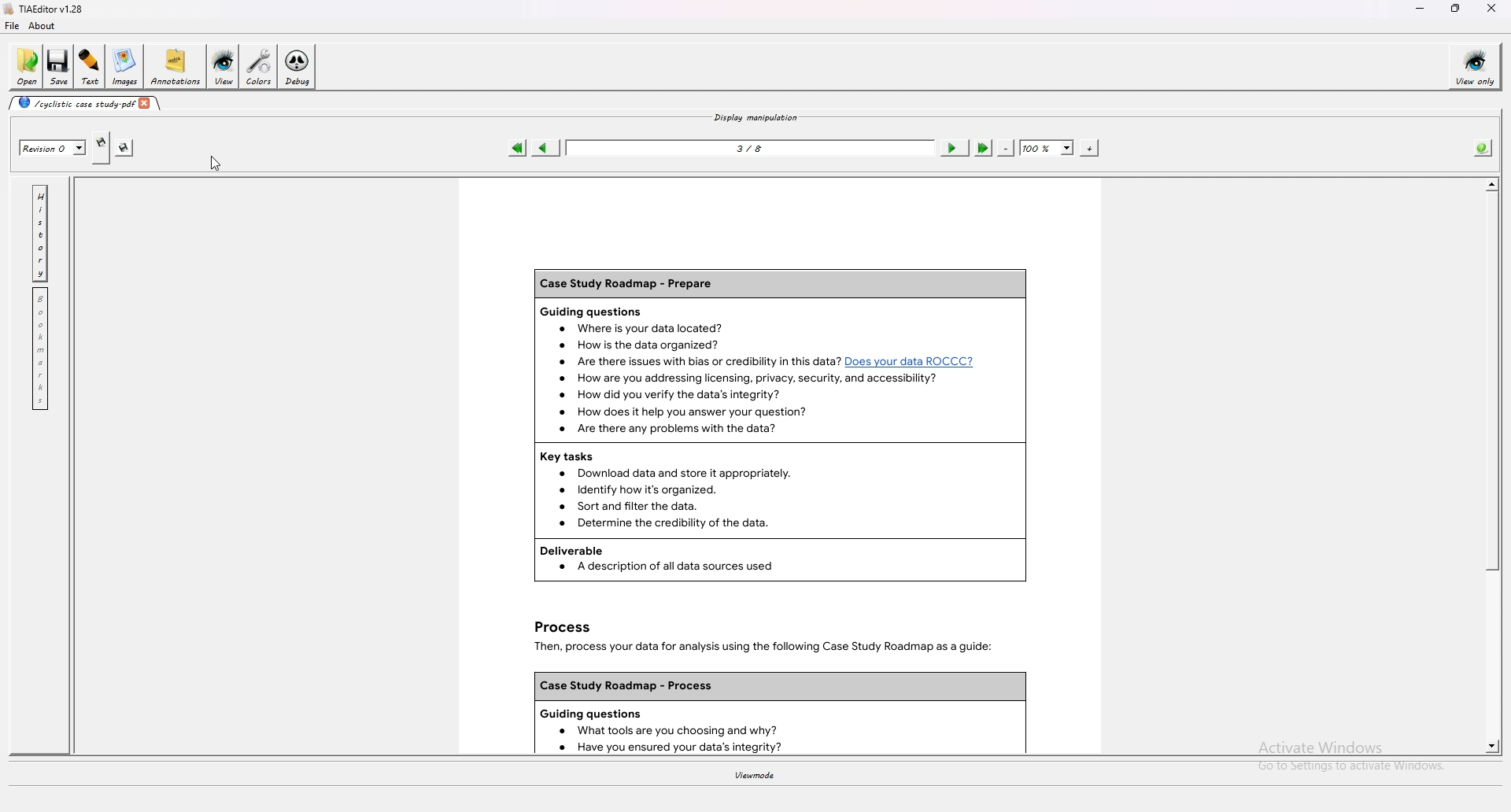 The width and height of the screenshot is (1511, 812). I want to click on revision 0, so click(52, 148).